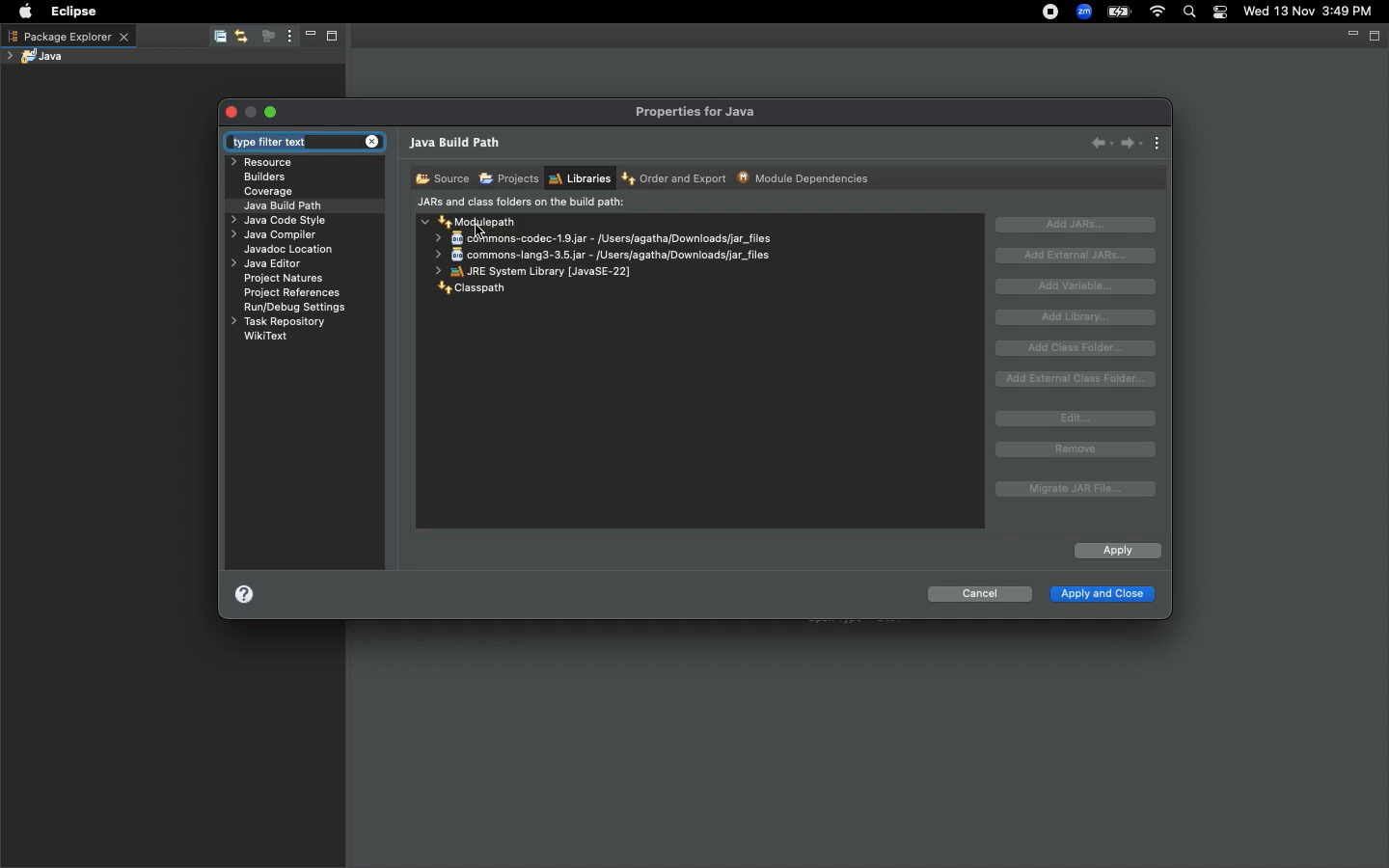 The width and height of the screenshot is (1389, 868). I want to click on Java code style, so click(276, 222).